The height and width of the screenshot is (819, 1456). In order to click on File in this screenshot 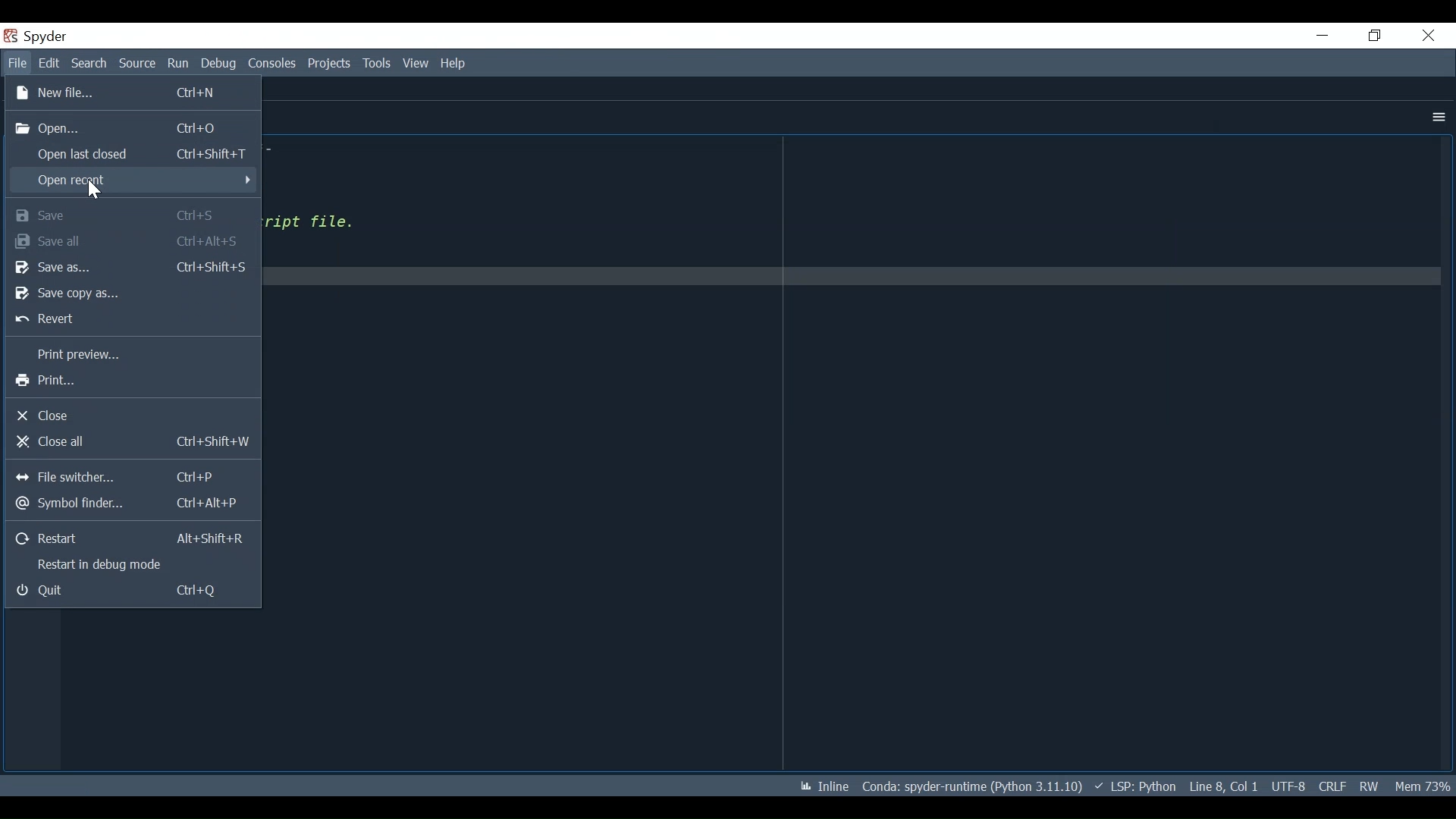, I will do `click(17, 63)`.